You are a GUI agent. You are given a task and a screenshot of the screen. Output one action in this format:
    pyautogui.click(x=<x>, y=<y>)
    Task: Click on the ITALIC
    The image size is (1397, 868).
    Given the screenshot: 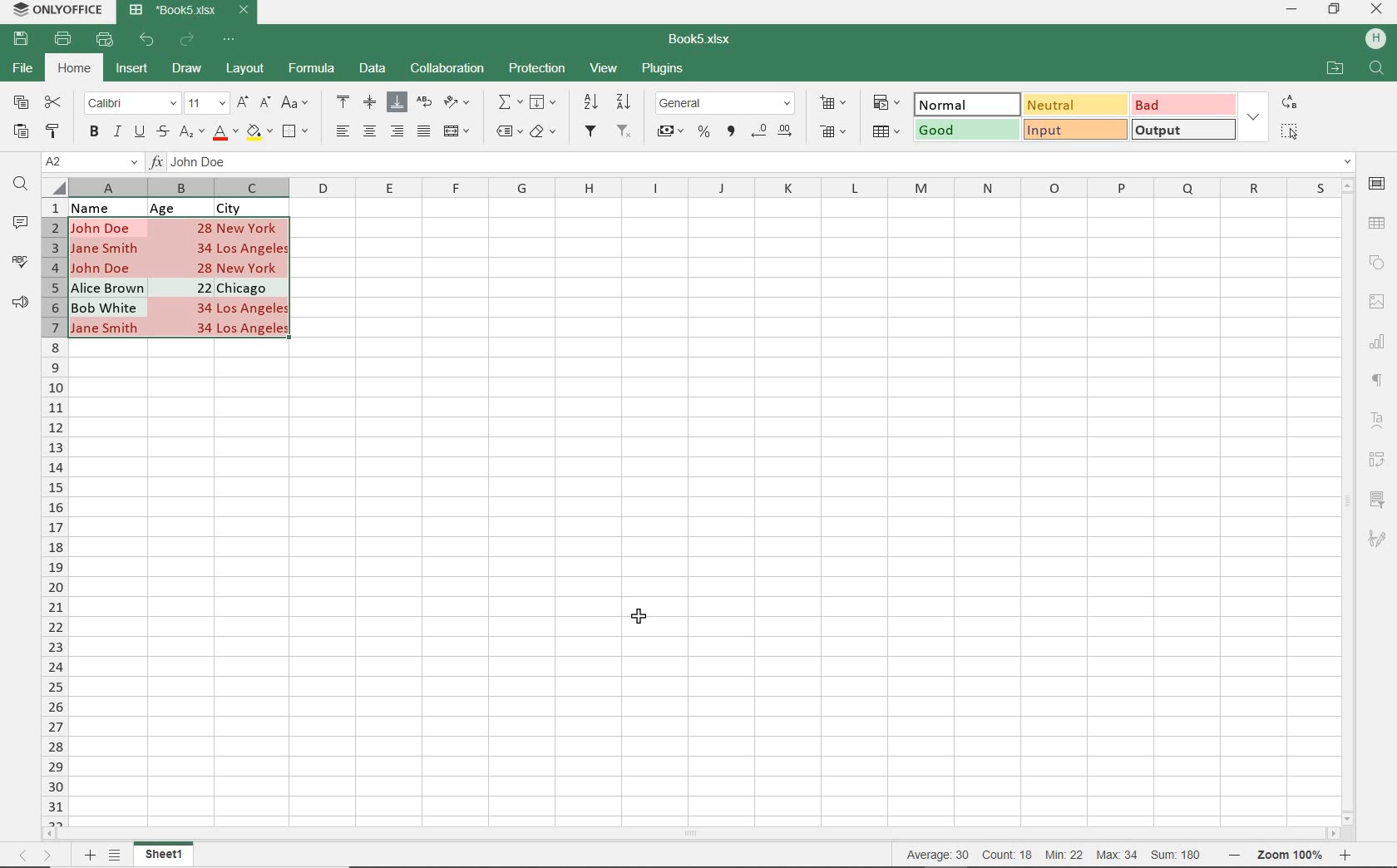 What is the action you would take?
    pyautogui.click(x=116, y=131)
    